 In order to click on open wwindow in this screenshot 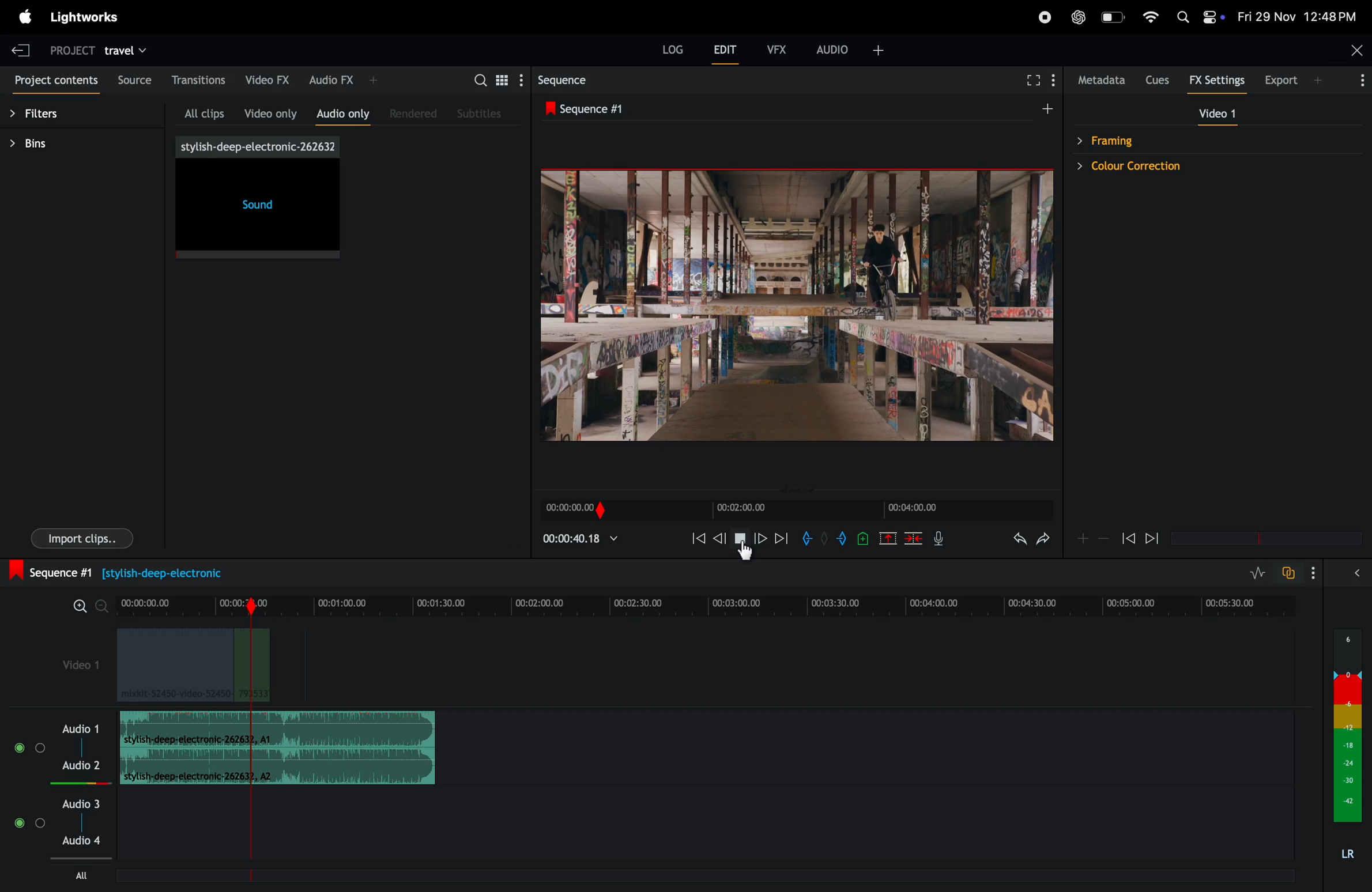, I will do `click(1362, 573)`.